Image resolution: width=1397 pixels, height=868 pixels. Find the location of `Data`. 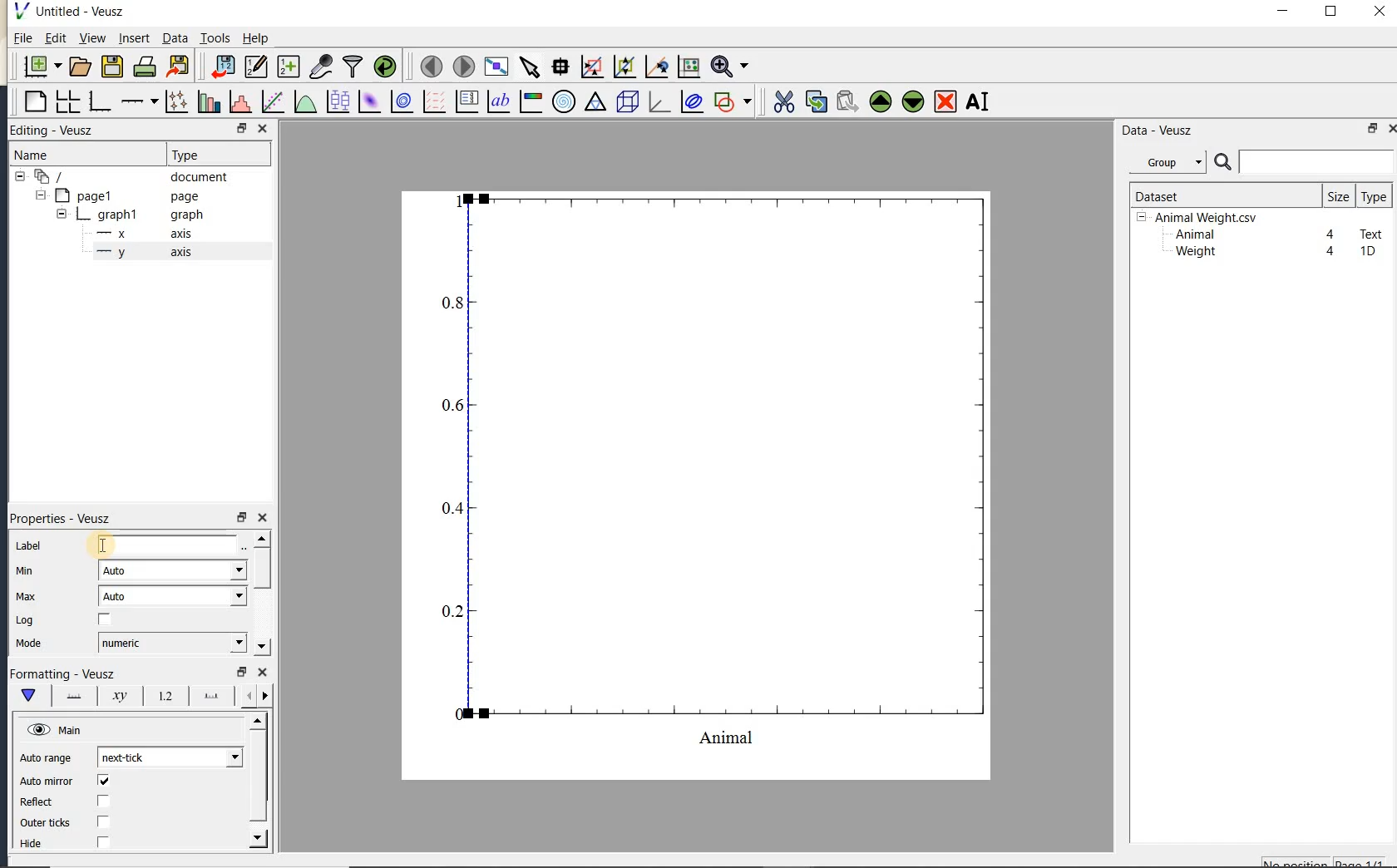

Data is located at coordinates (175, 37).